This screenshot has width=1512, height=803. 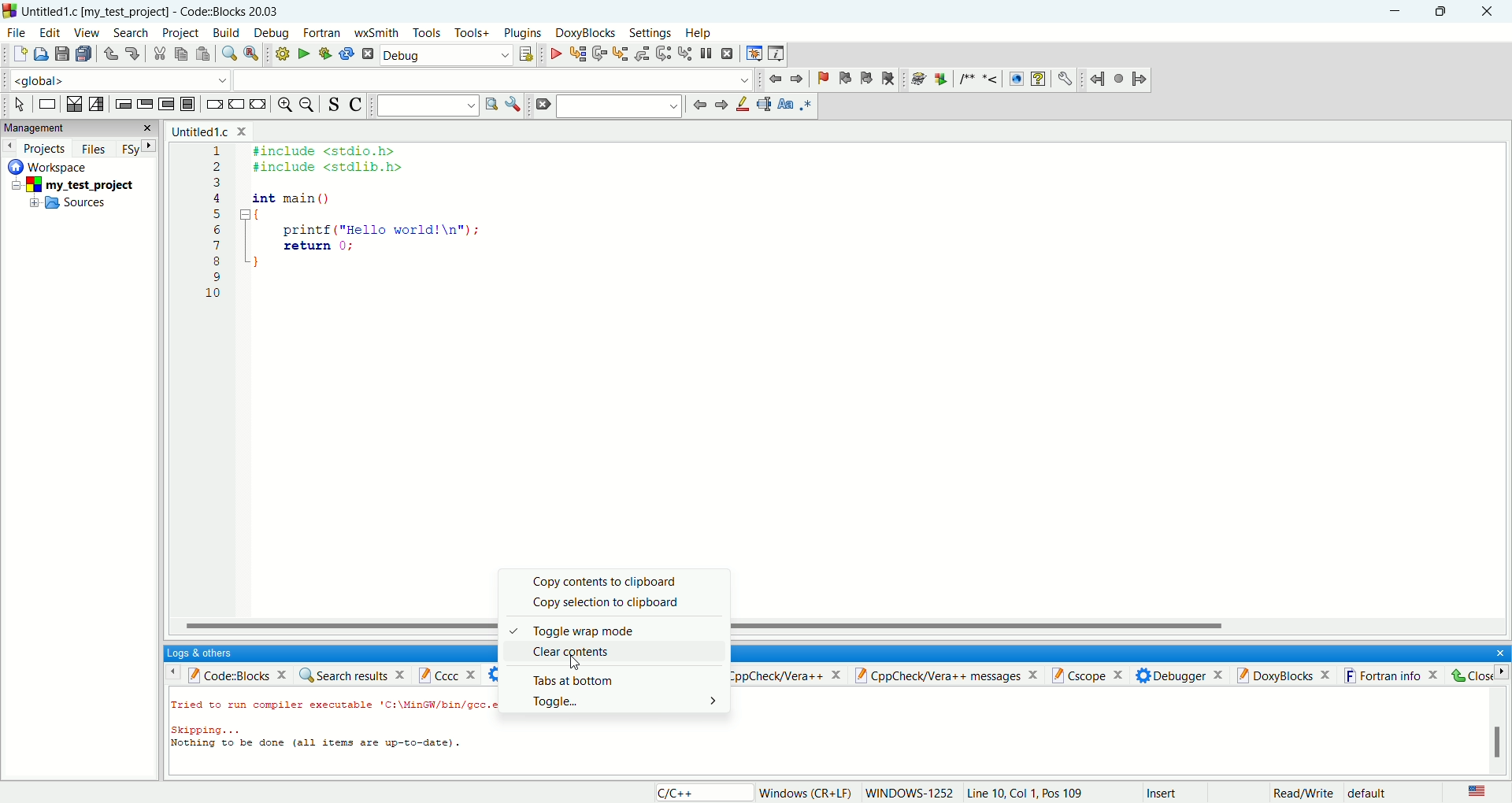 What do you see at coordinates (728, 54) in the screenshot?
I see `stop debugger` at bounding box center [728, 54].